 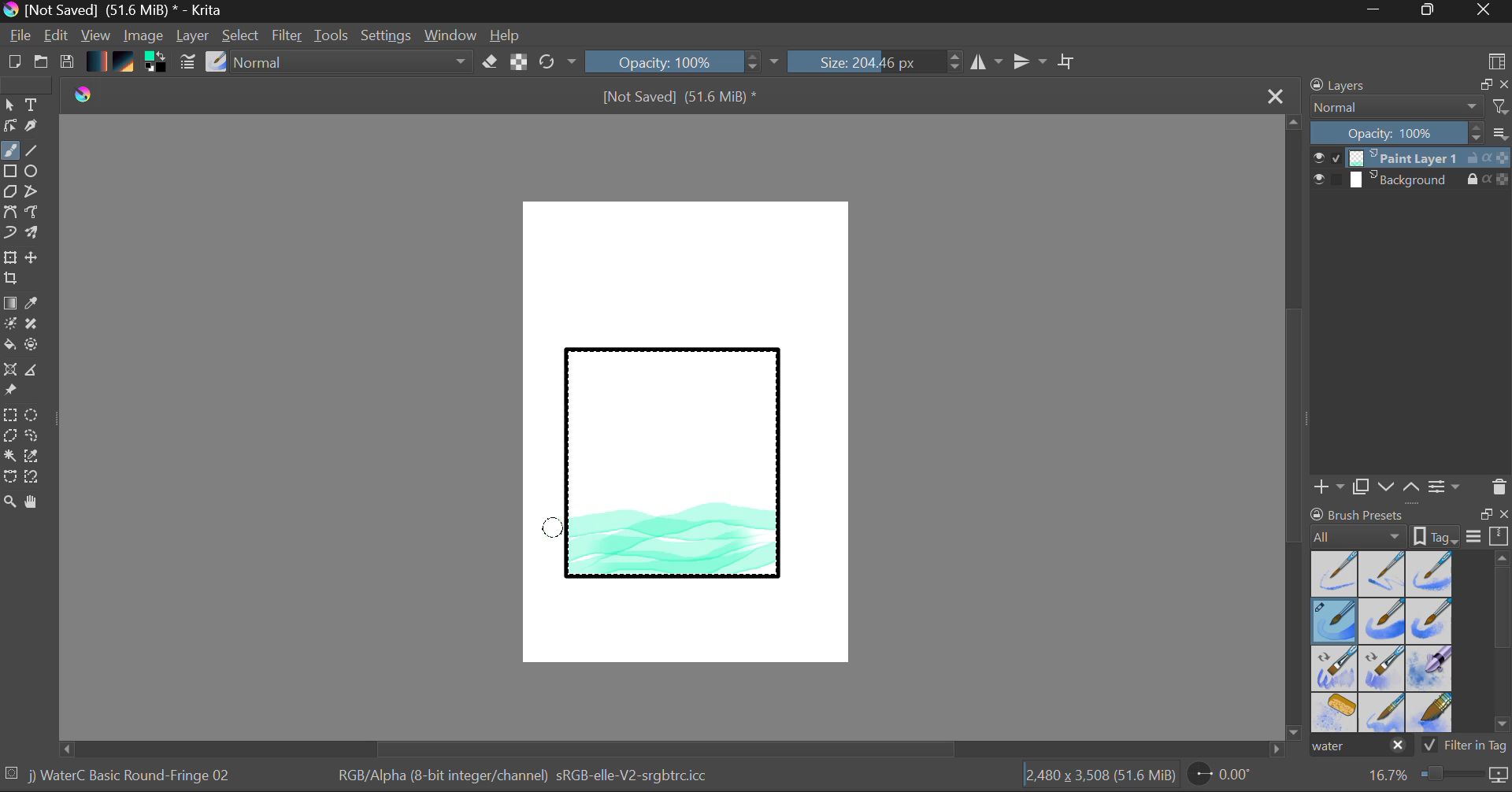 What do you see at coordinates (9, 436) in the screenshot?
I see `Polygon Selection Tool` at bounding box center [9, 436].